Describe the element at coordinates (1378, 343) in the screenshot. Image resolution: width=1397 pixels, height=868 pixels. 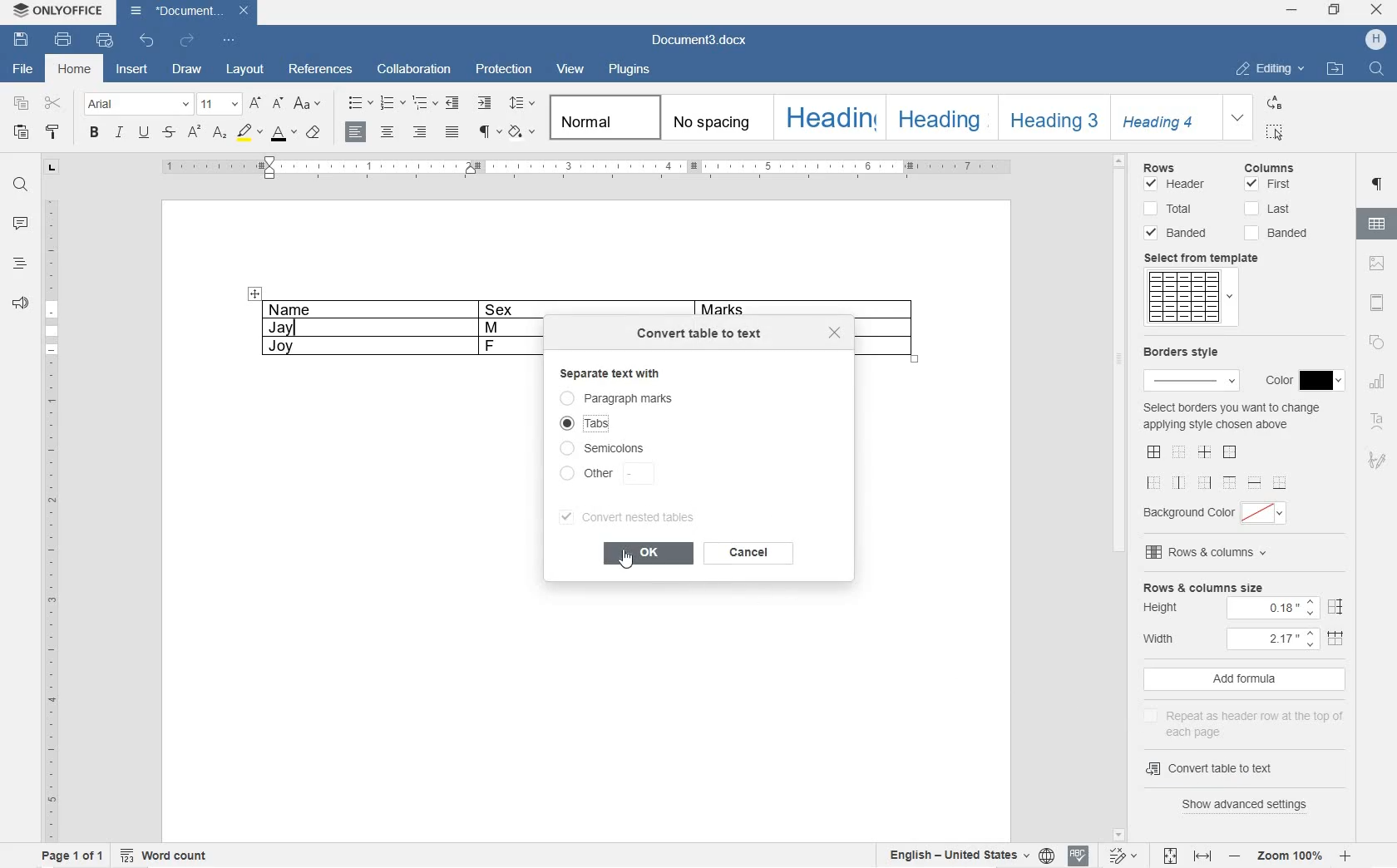
I see `SHAPE` at that location.